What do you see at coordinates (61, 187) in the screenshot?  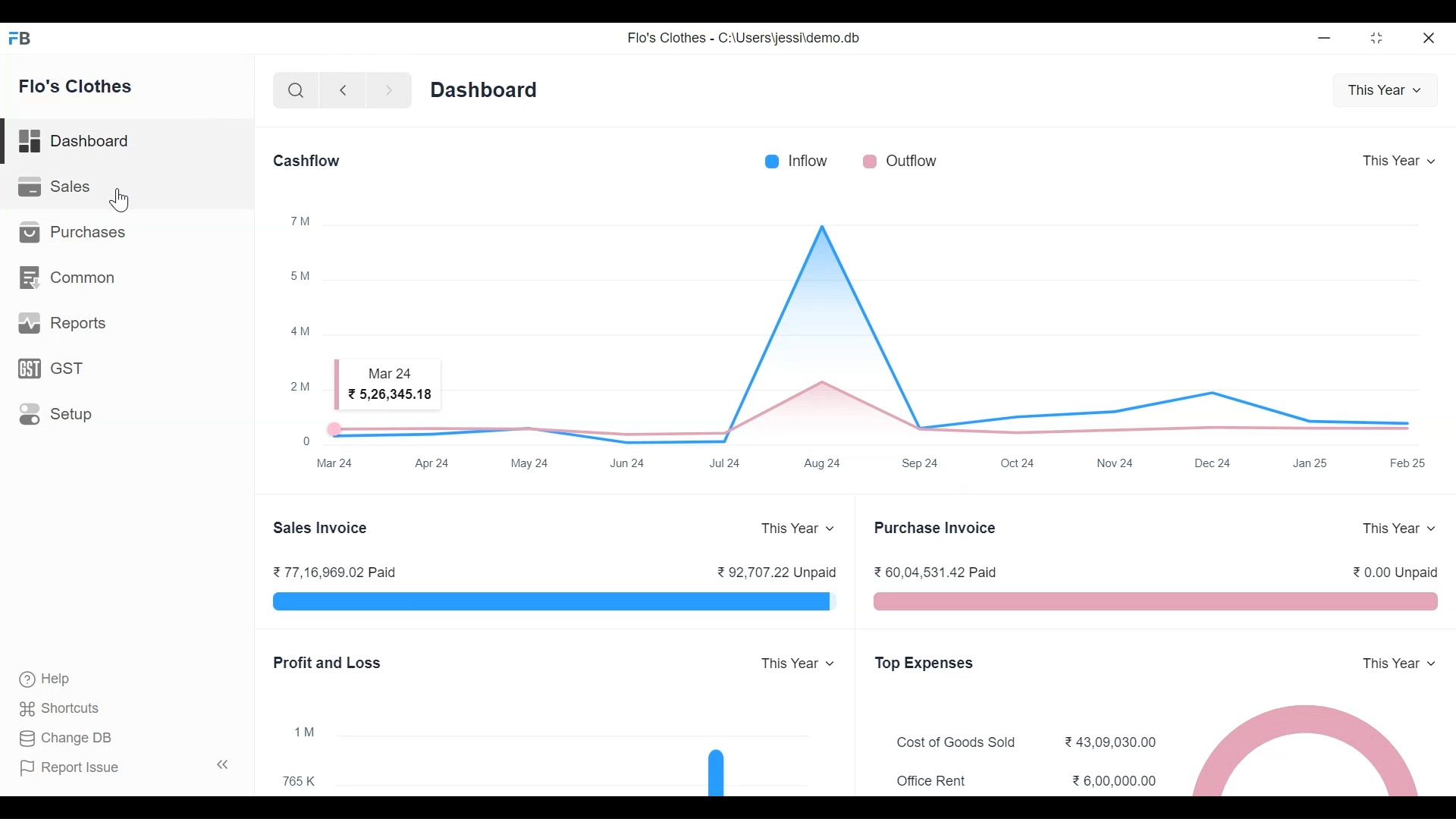 I see `Sales` at bounding box center [61, 187].